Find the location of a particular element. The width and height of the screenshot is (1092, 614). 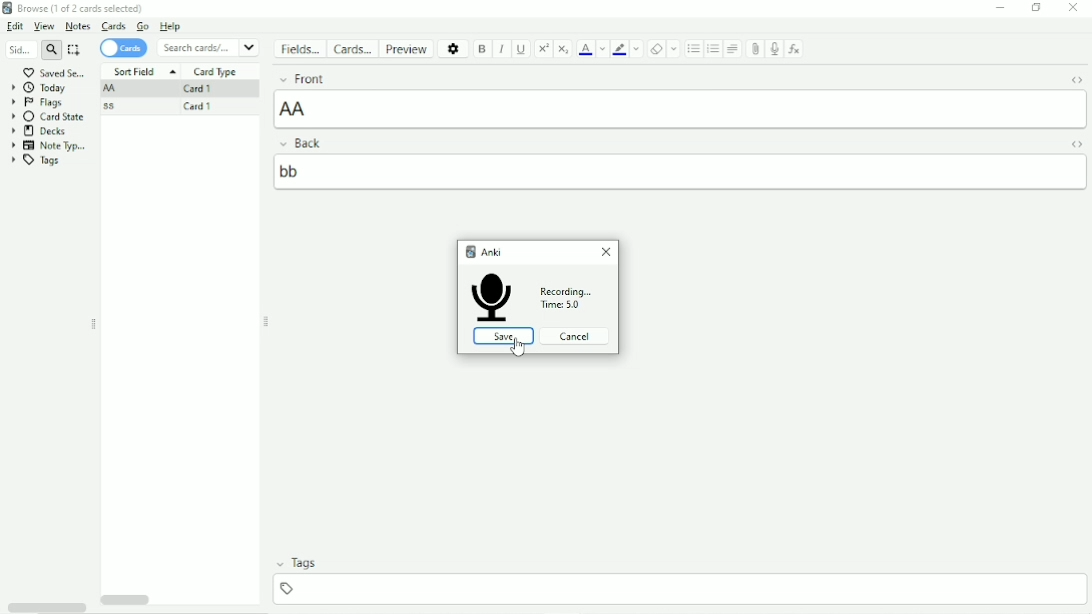

Go is located at coordinates (143, 26).